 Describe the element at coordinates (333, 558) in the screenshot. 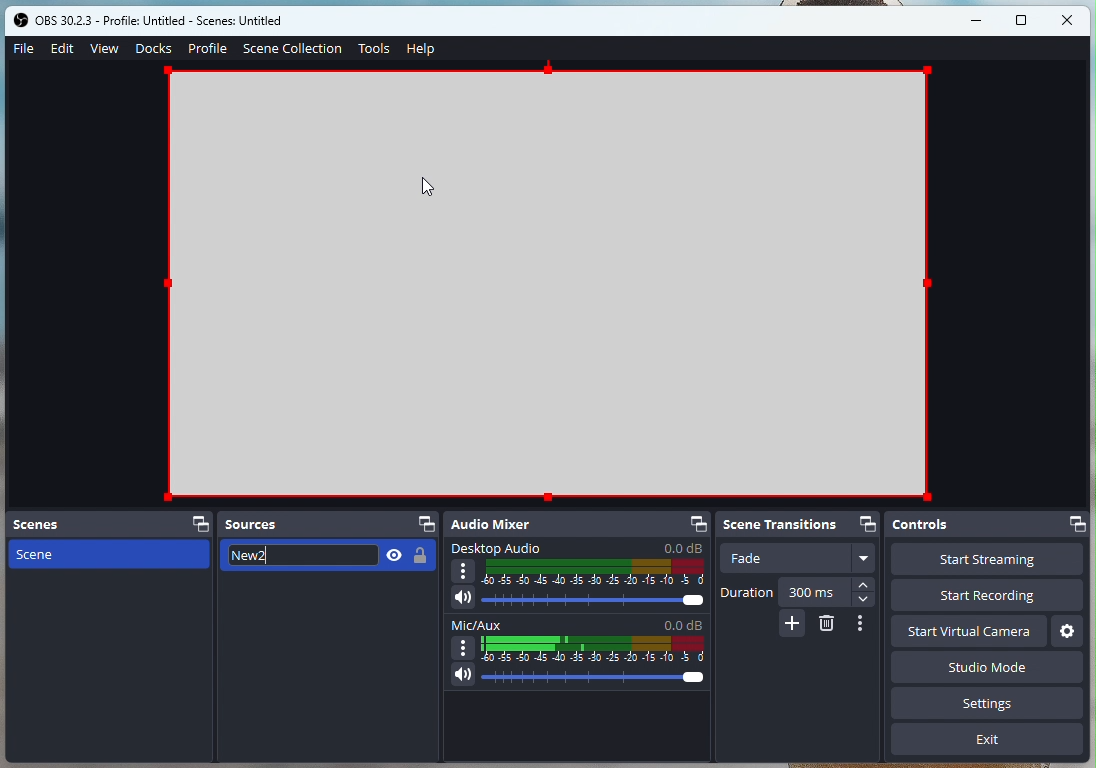

I see `typing` at that location.